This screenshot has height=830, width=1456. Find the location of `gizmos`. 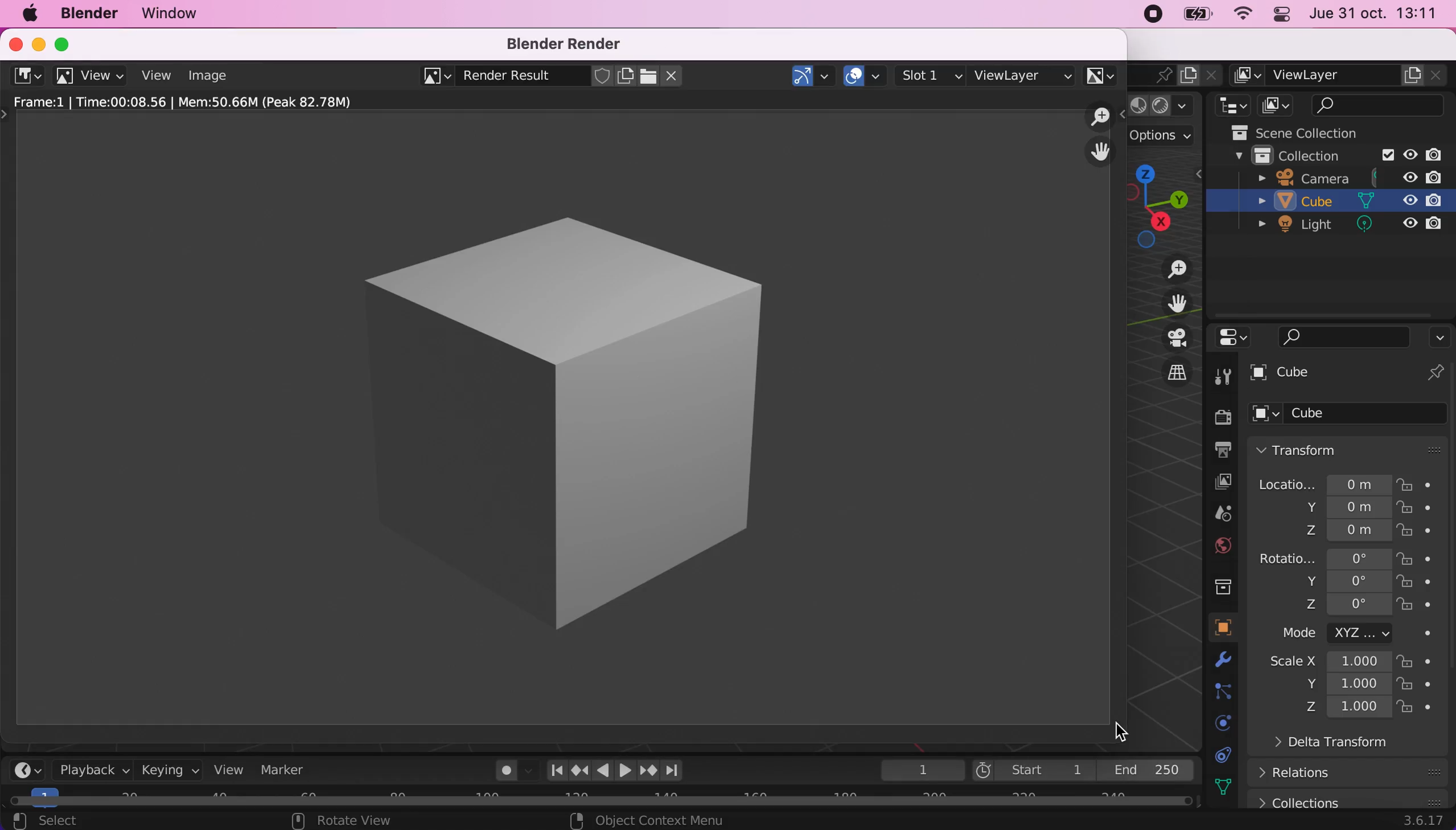

gizmos is located at coordinates (813, 76).